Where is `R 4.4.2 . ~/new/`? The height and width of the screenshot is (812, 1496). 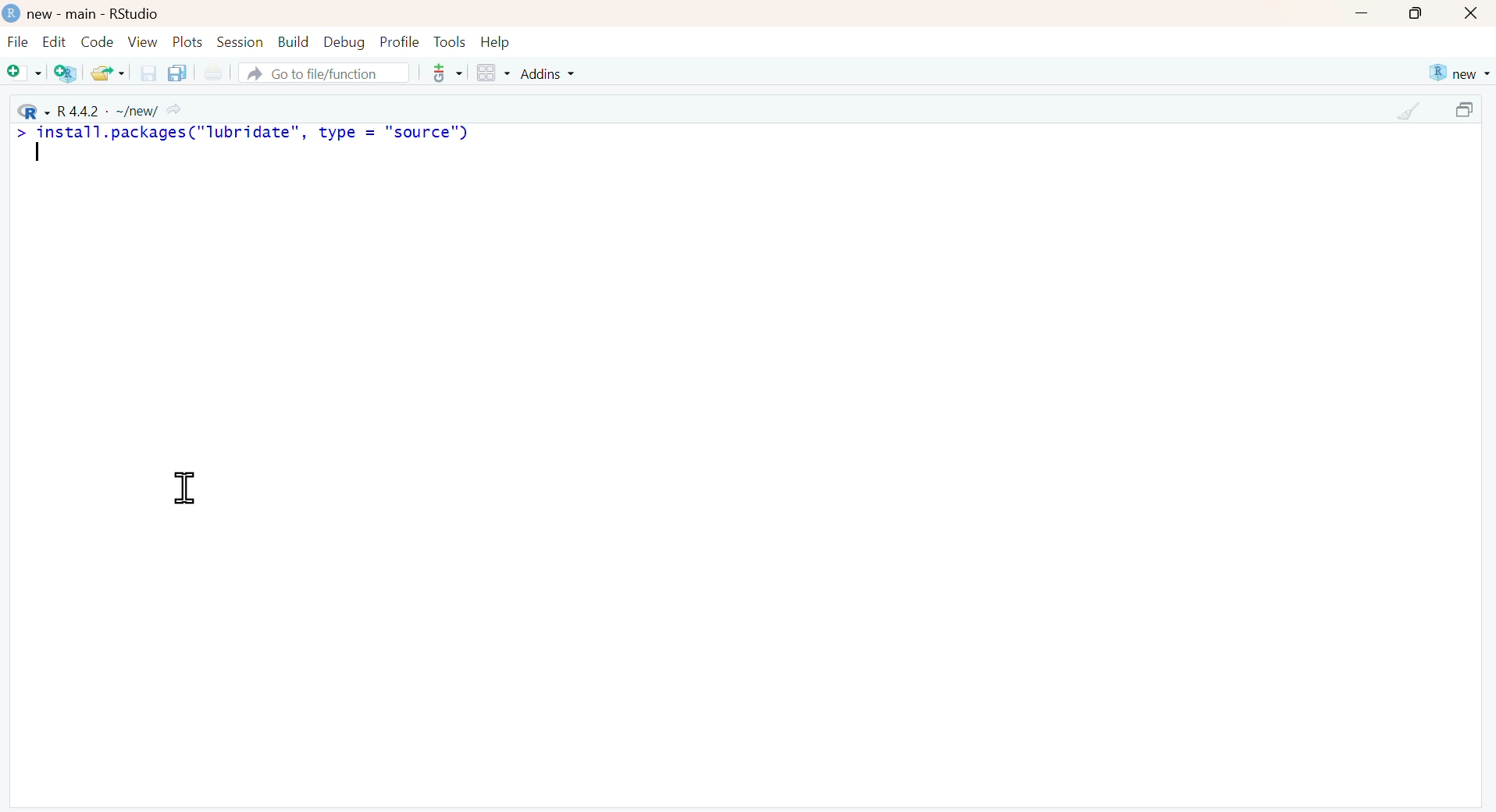 R 4.4.2 . ~/new/ is located at coordinates (102, 109).